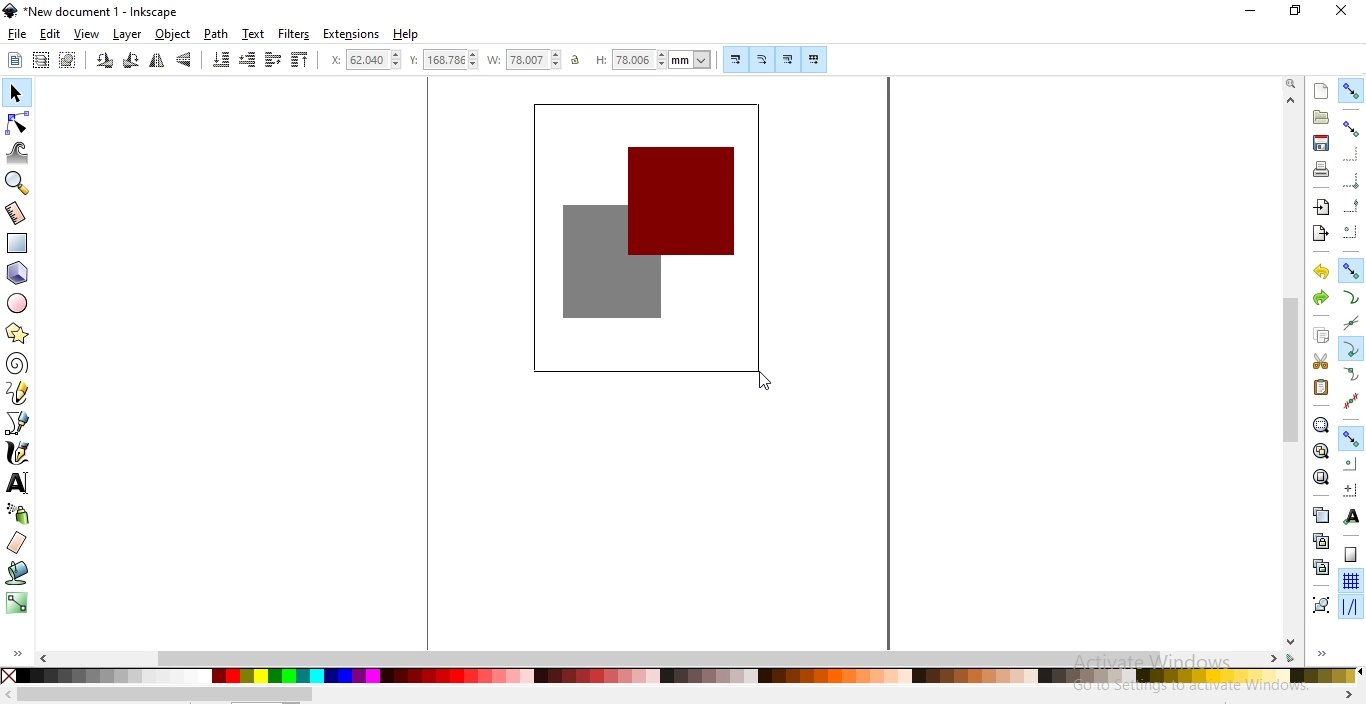 This screenshot has height=704, width=1366. What do you see at coordinates (1320, 208) in the screenshot?
I see `import a bitmap` at bounding box center [1320, 208].